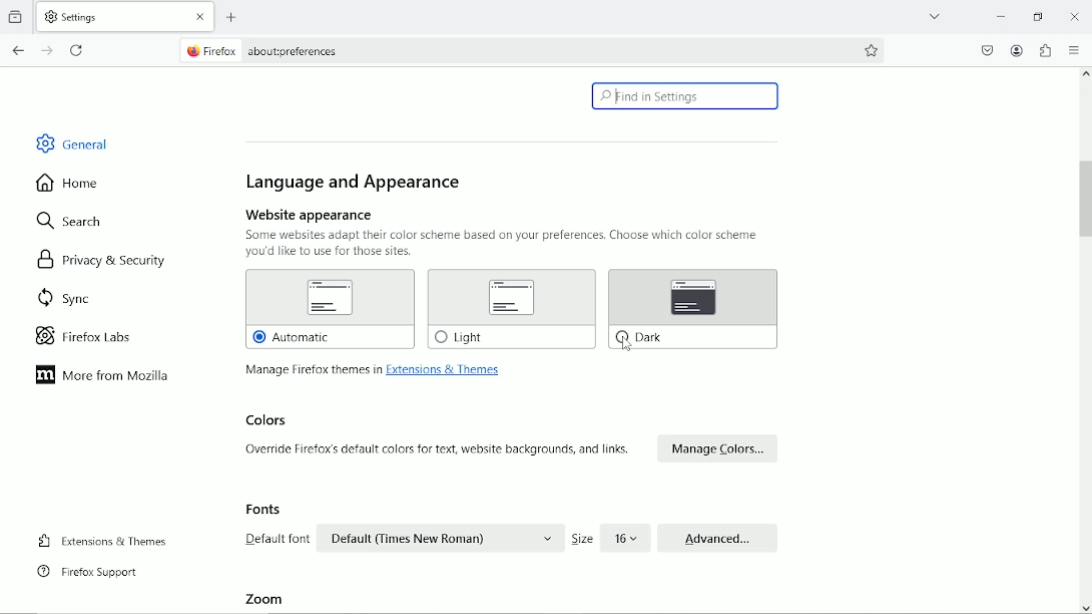  I want to click on vertical scroll bar, so click(1085, 340).